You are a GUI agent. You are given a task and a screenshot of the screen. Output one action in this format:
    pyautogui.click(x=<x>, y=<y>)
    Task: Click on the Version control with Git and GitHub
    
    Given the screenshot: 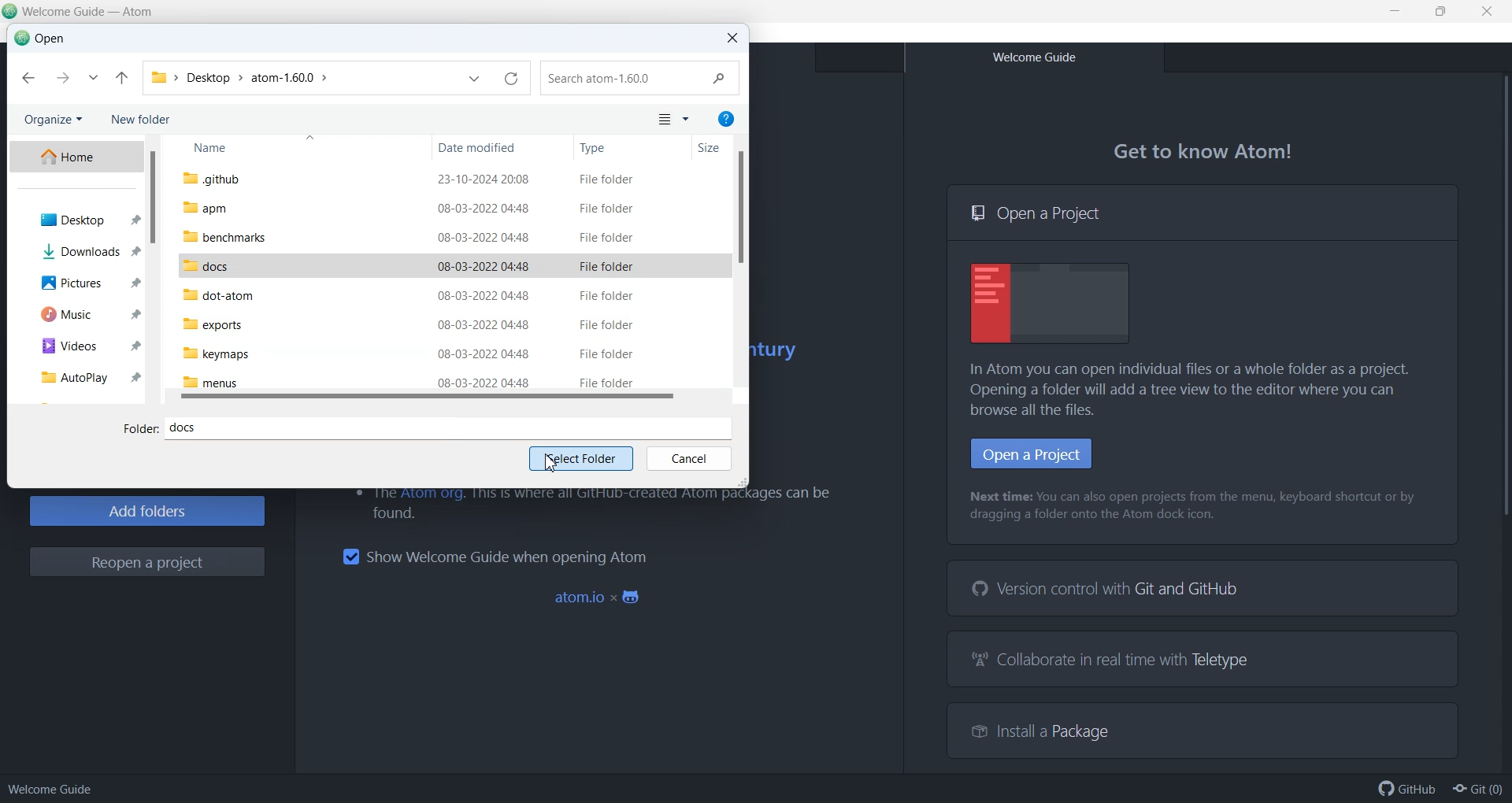 What is the action you would take?
    pyautogui.click(x=1109, y=589)
    